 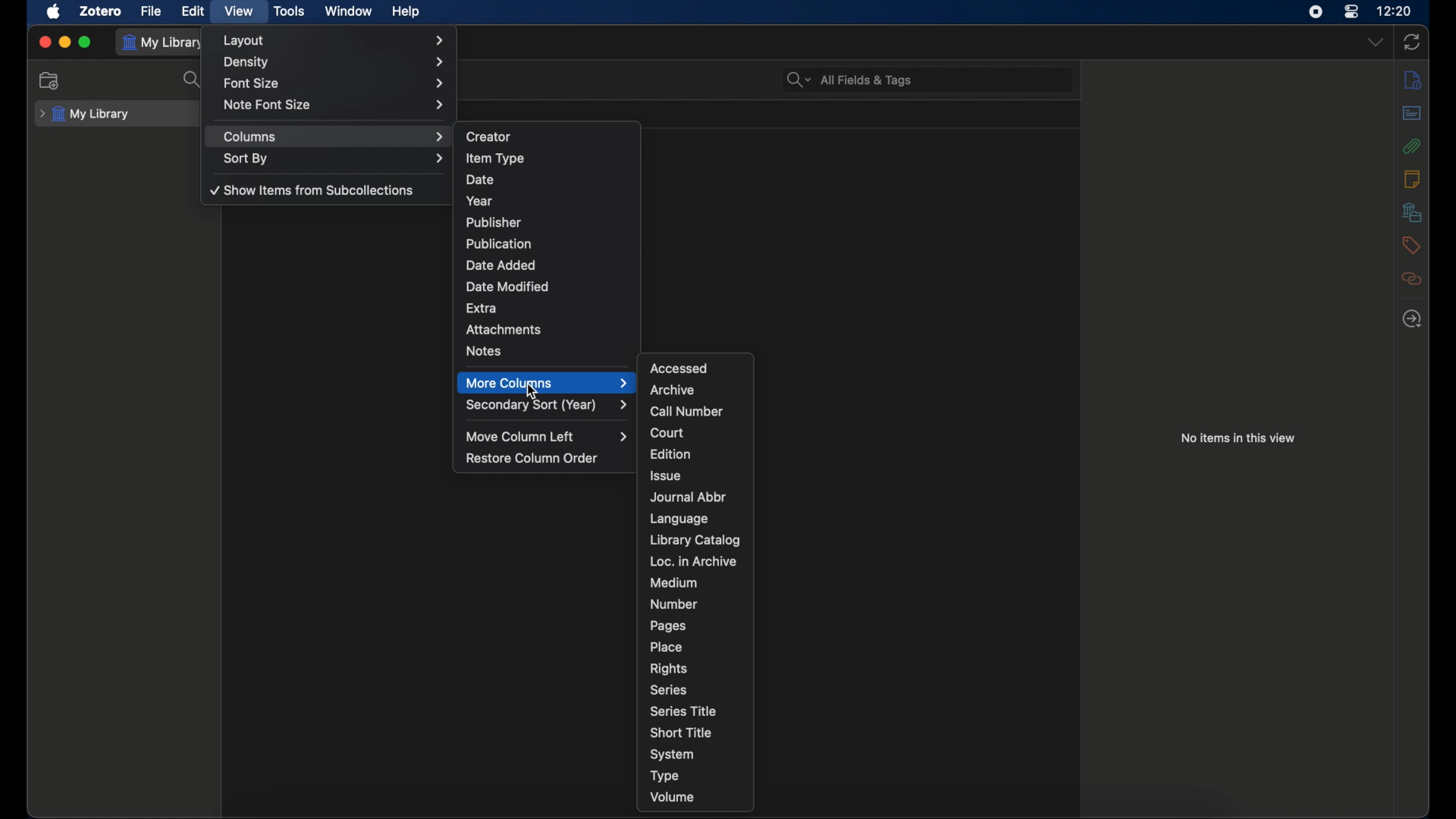 What do you see at coordinates (532, 458) in the screenshot?
I see `restore column order` at bounding box center [532, 458].